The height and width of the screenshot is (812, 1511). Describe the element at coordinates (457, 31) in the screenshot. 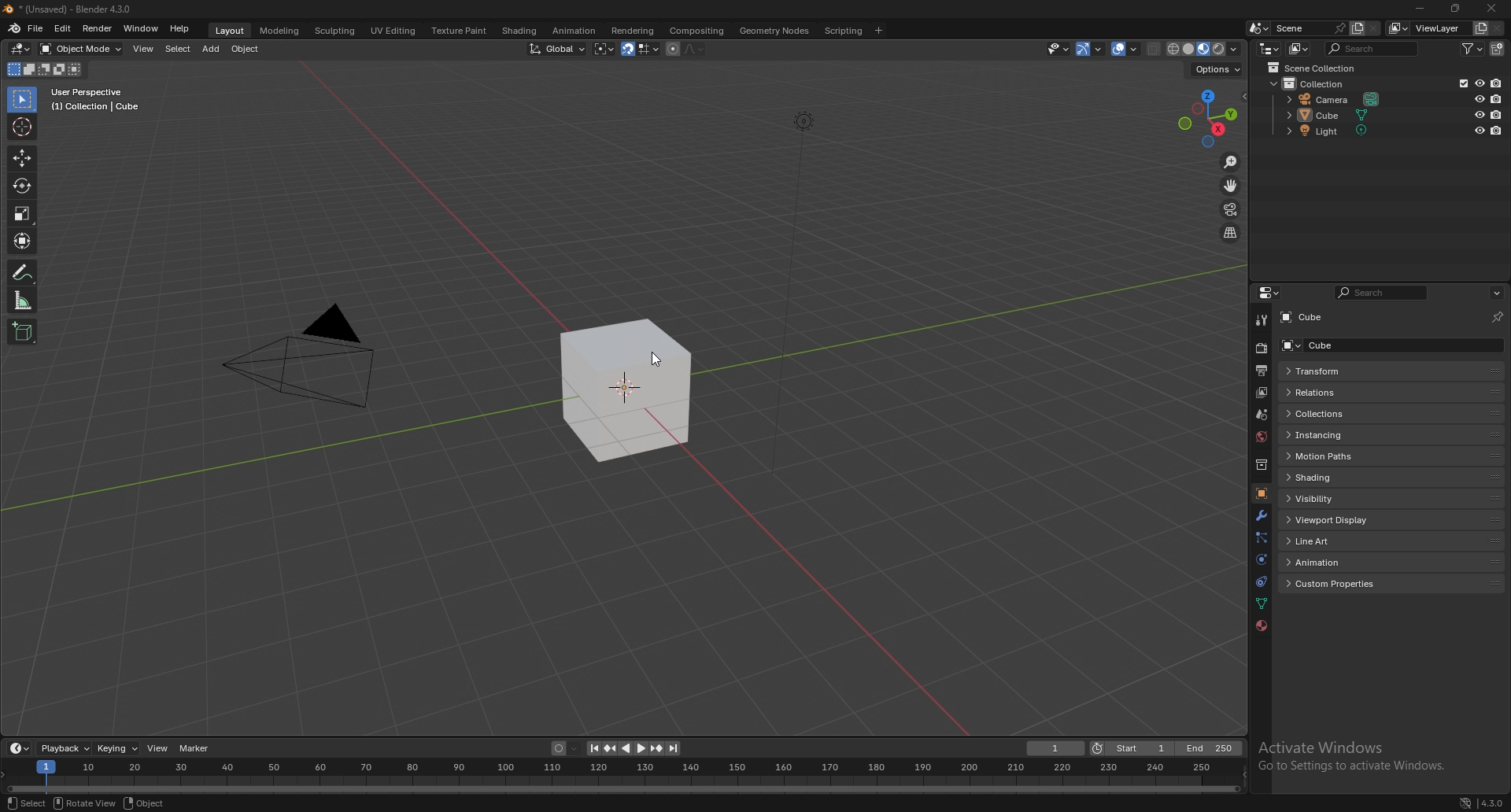

I see `texture paint` at that location.